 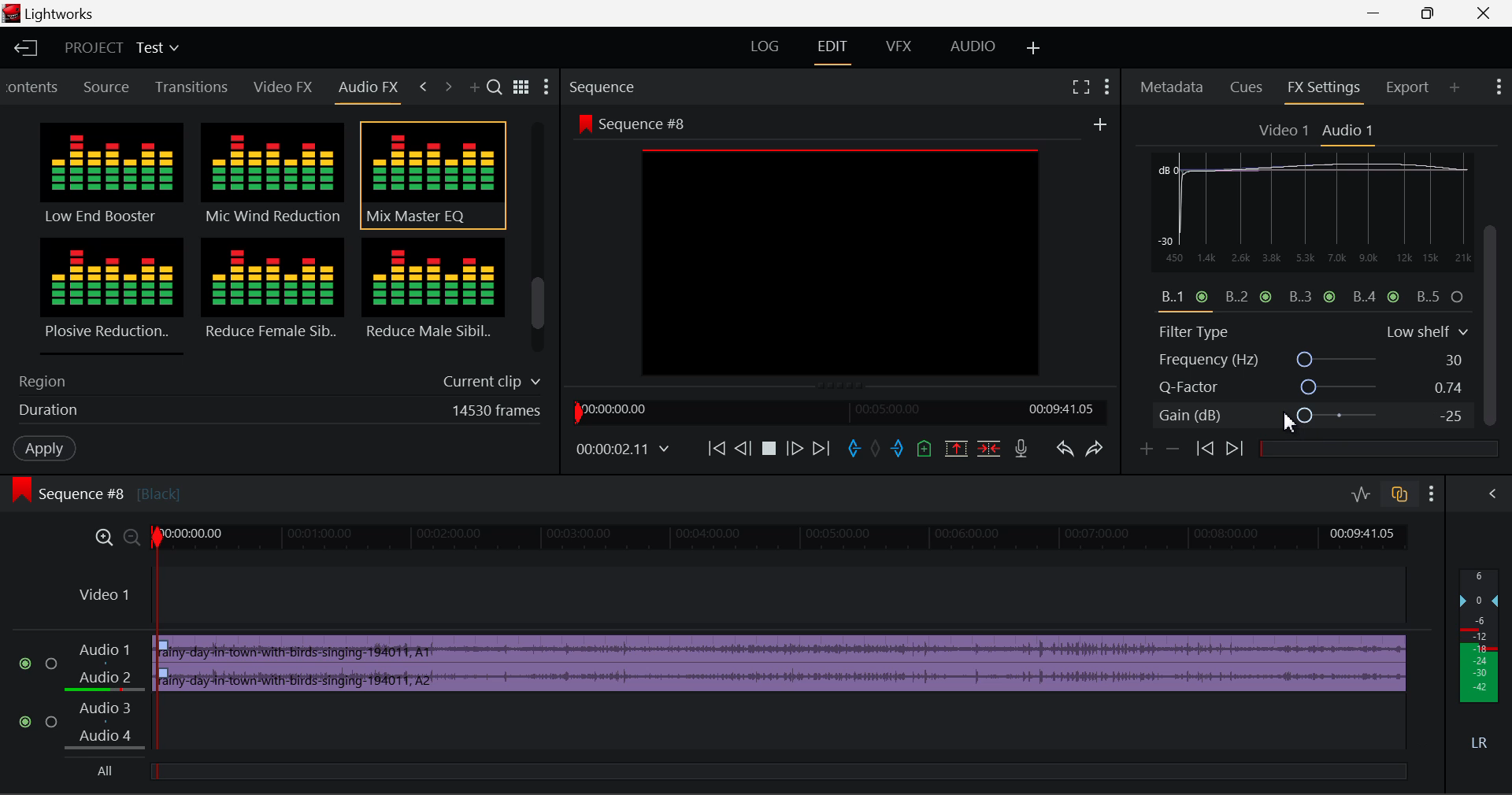 What do you see at coordinates (44, 449) in the screenshot?
I see `Apply` at bounding box center [44, 449].